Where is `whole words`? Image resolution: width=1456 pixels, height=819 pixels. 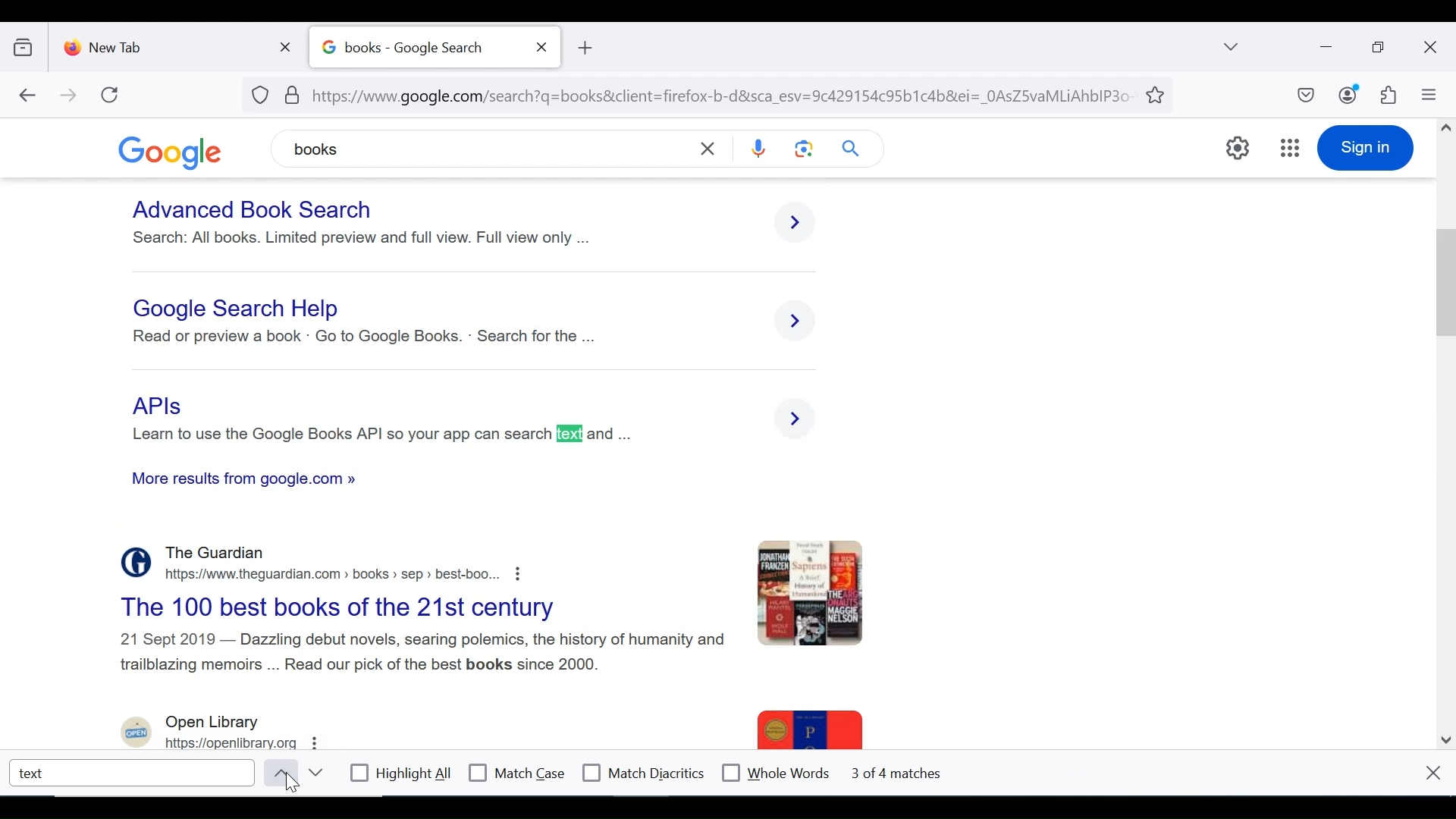
whole words is located at coordinates (775, 771).